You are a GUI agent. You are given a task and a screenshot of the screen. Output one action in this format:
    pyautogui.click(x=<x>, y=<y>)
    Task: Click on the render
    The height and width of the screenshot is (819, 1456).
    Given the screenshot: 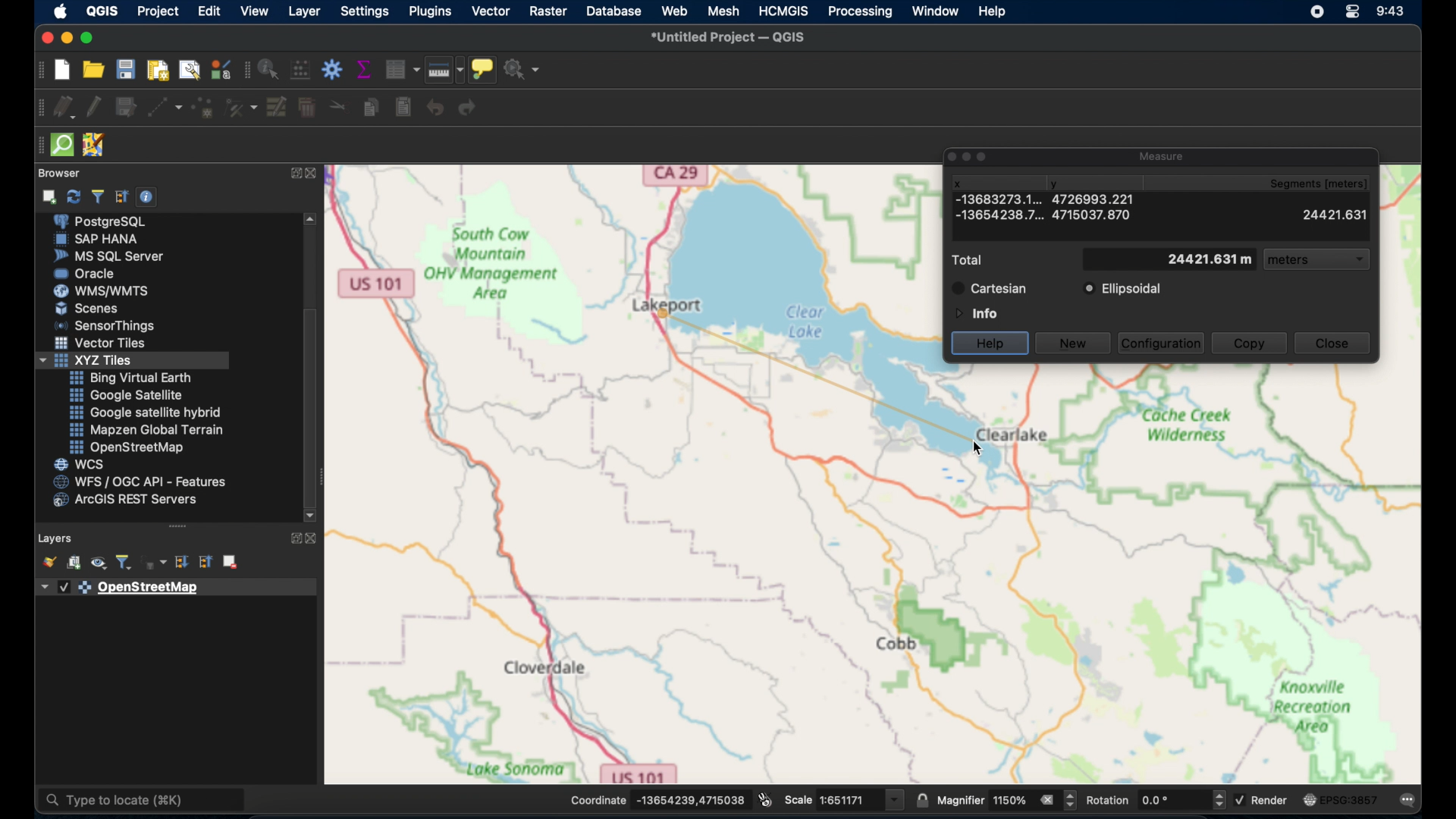 What is the action you would take?
    pyautogui.click(x=1266, y=802)
    